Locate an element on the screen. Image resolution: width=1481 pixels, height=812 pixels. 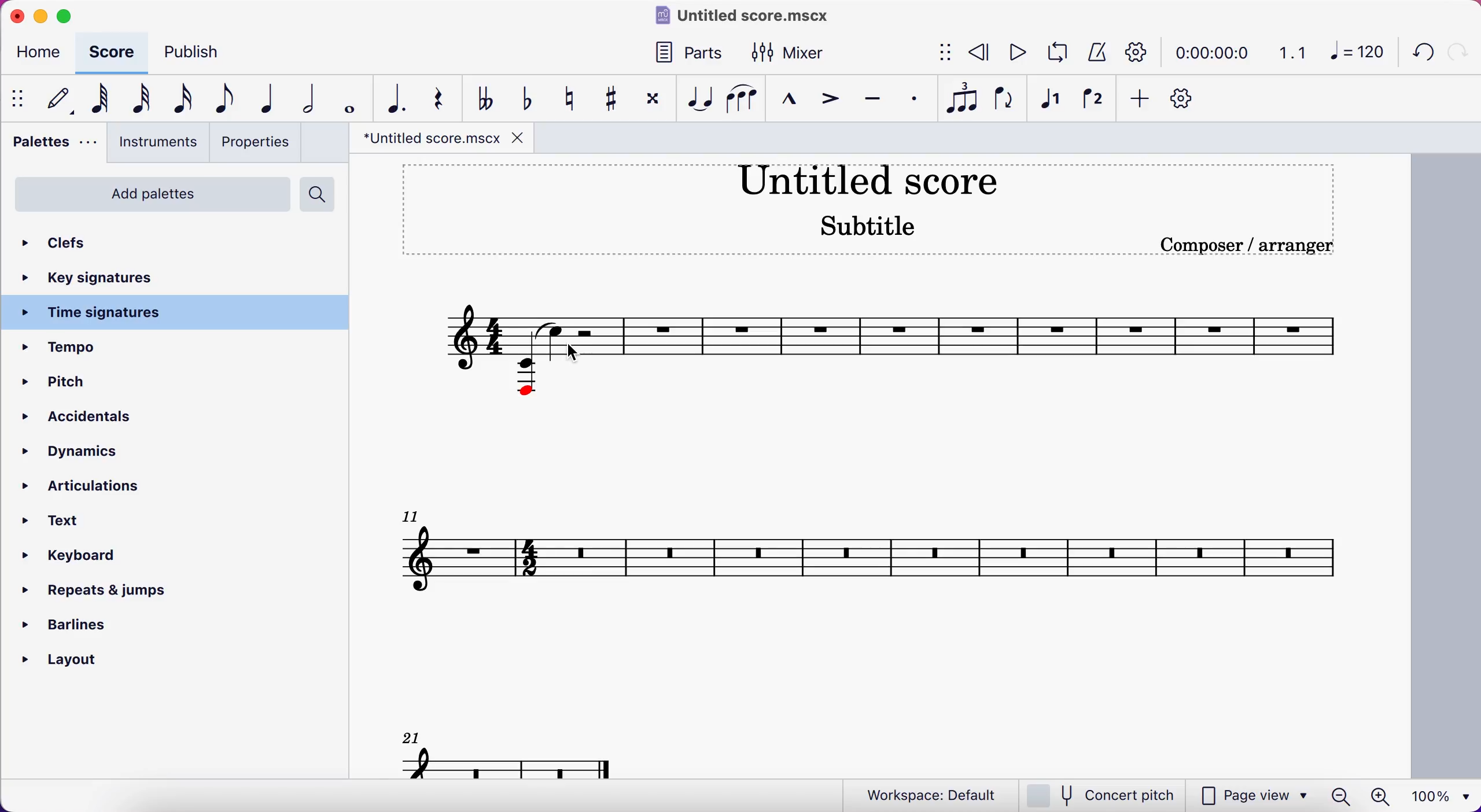
rewind is located at coordinates (975, 54).